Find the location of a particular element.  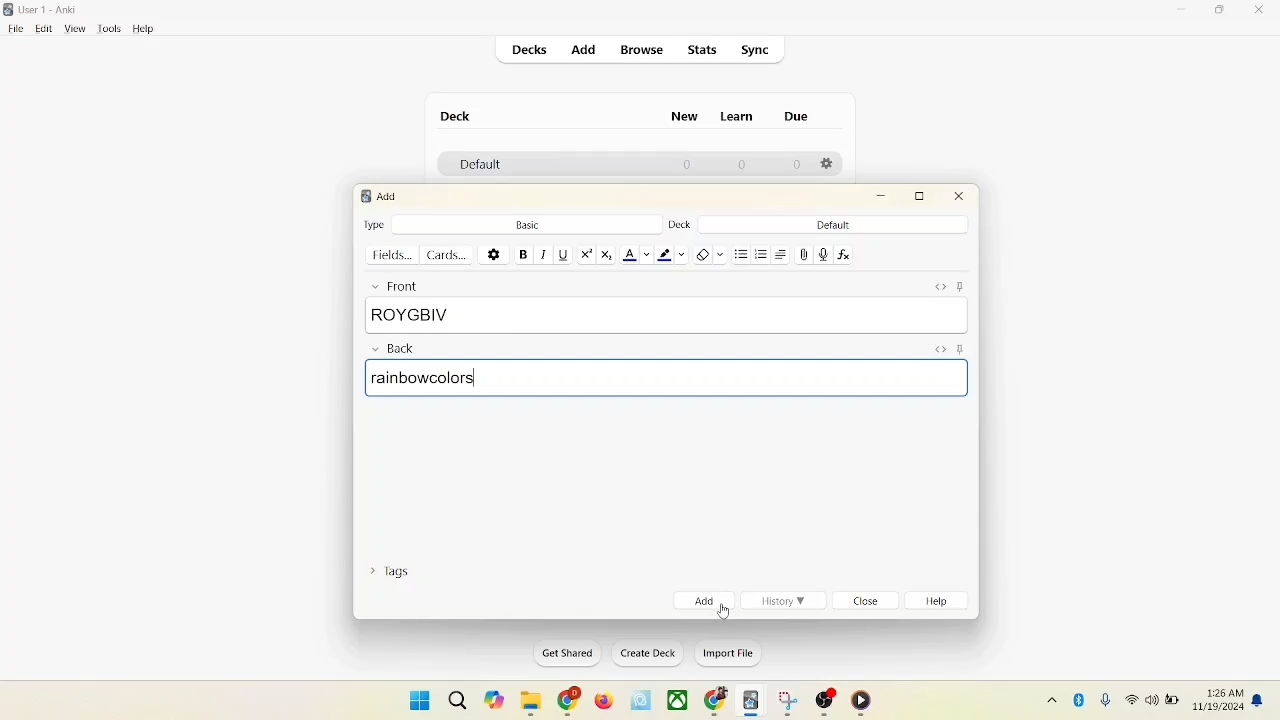

subscript is located at coordinates (607, 255).